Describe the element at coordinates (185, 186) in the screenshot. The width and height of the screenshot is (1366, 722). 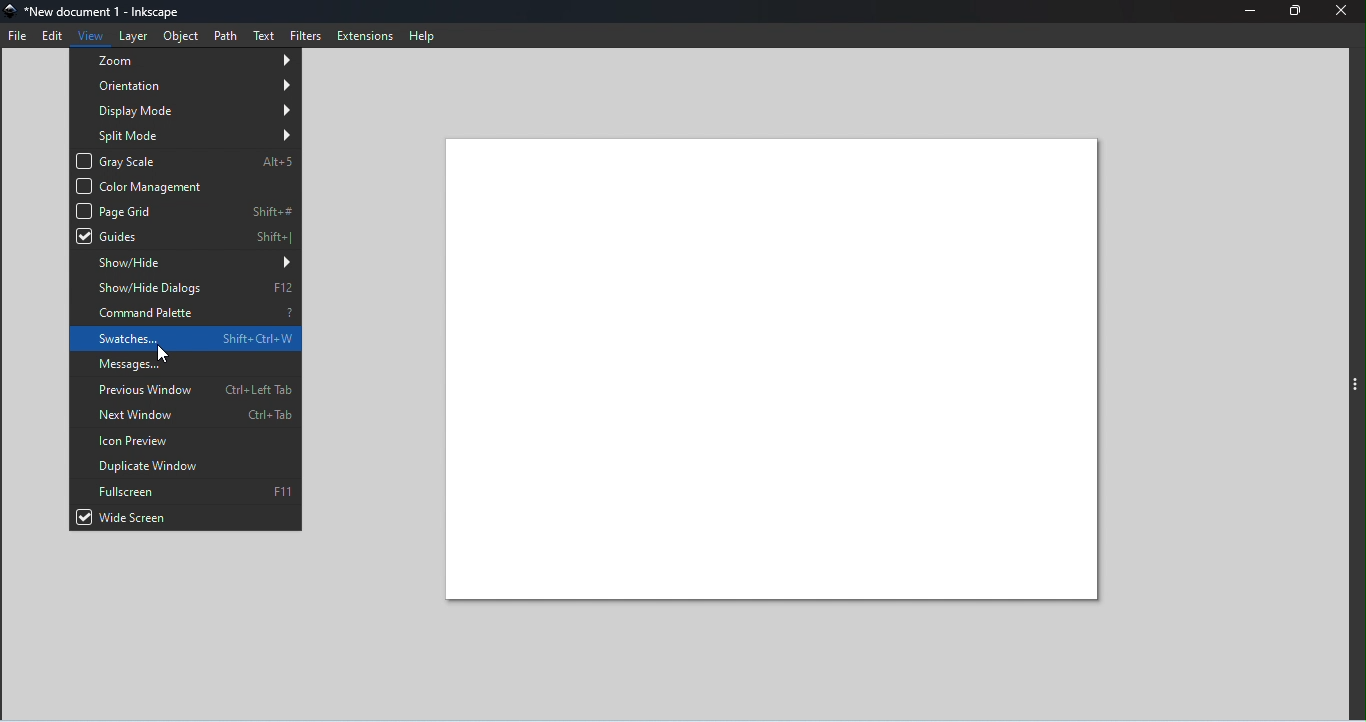
I see `Color management` at that location.